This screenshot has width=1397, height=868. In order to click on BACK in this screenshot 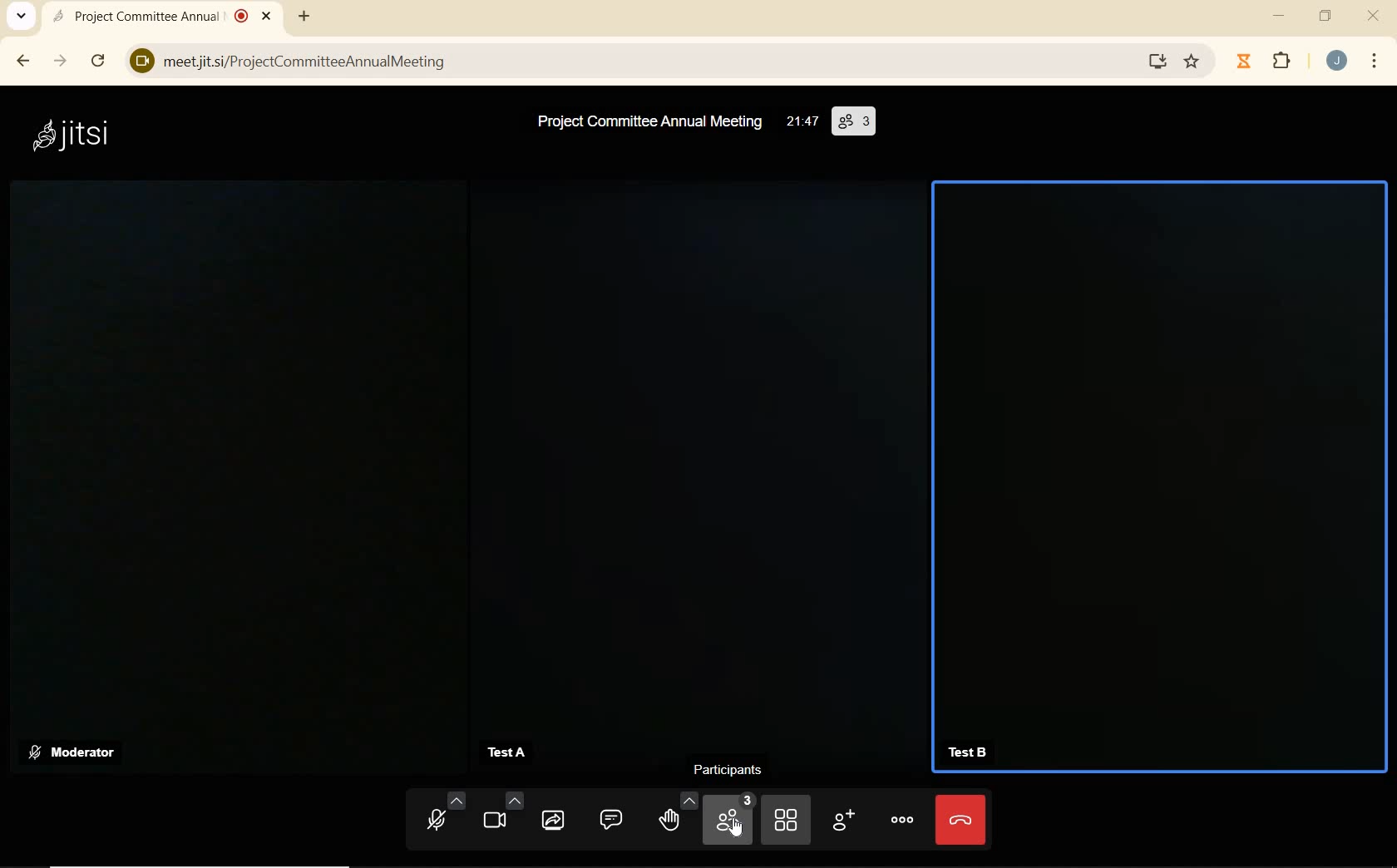, I will do `click(22, 62)`.